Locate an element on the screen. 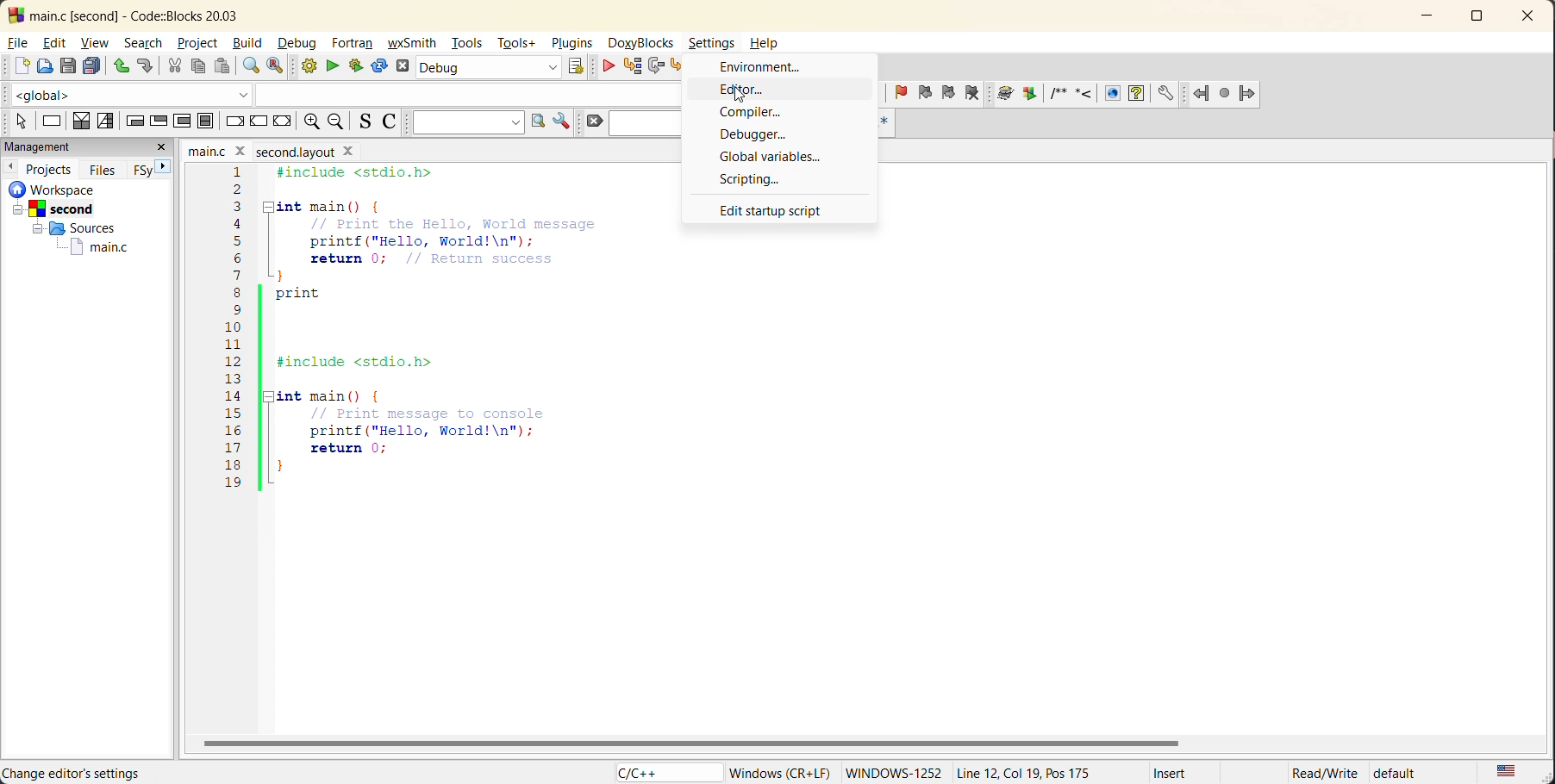  compiler is located at coordinates (759, 112).